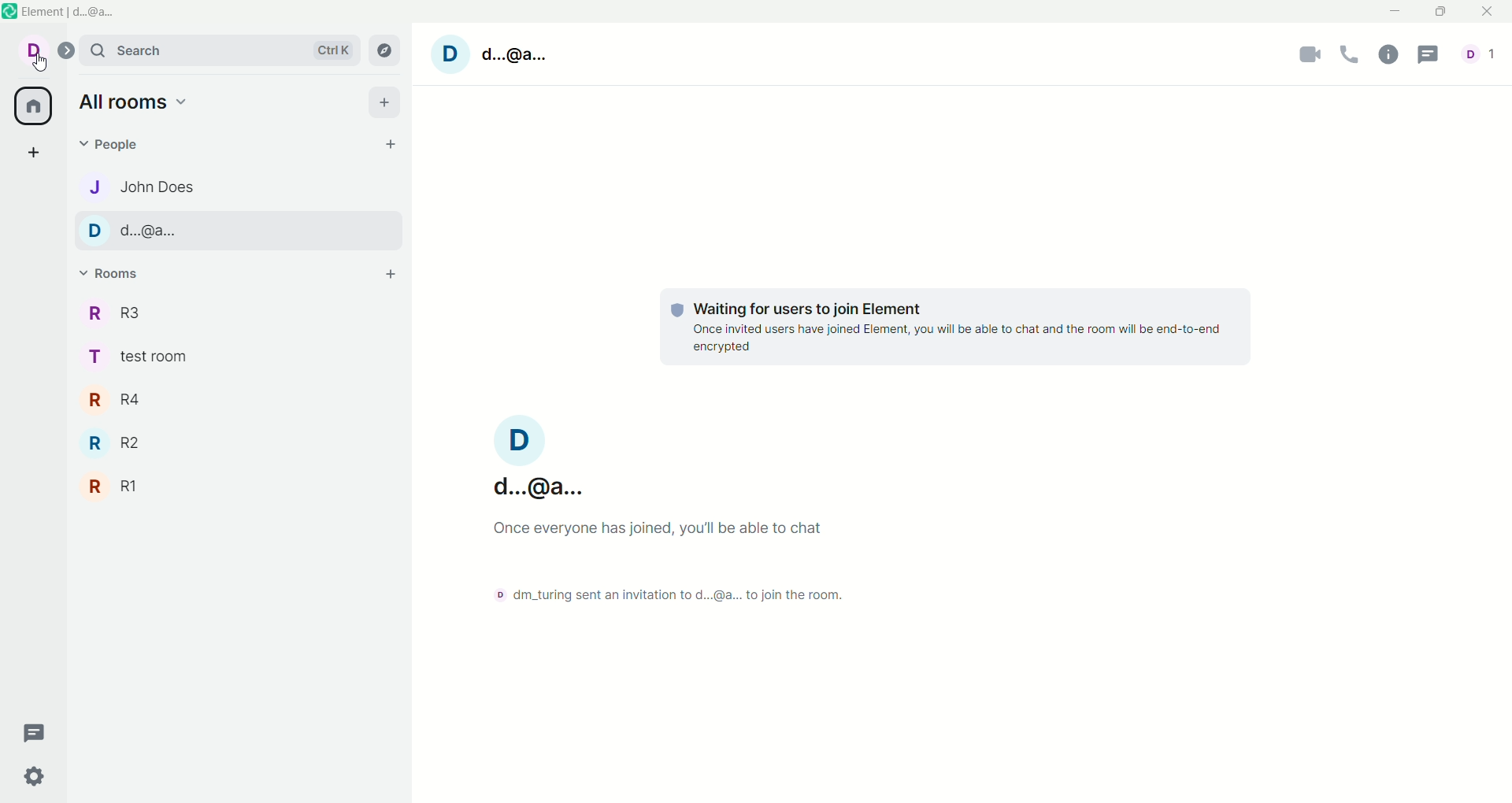  I want to click on explore rooms, so click(389, 50).